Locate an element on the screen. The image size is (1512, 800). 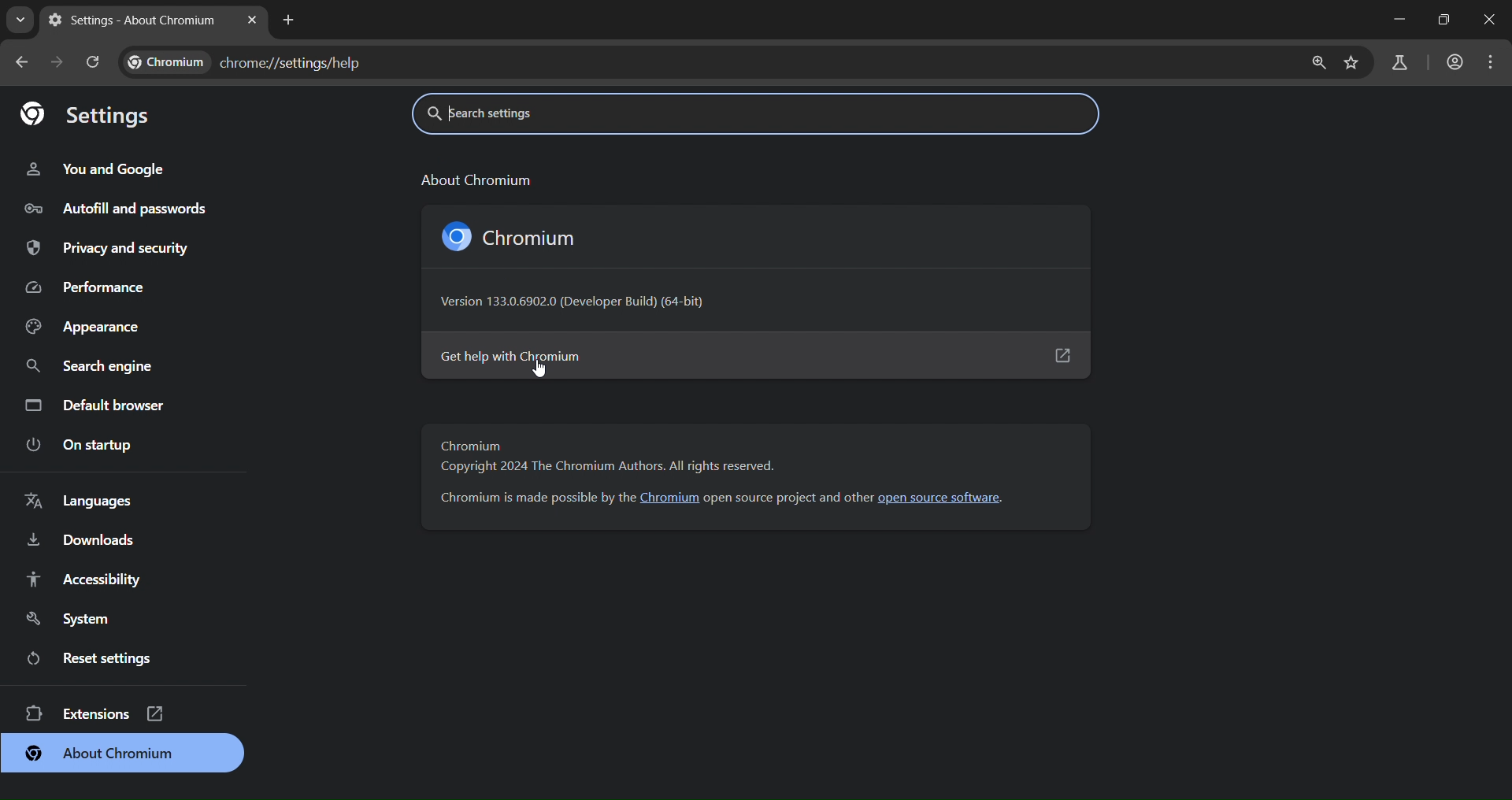
privacy and security is located at coordinates (112, 249).